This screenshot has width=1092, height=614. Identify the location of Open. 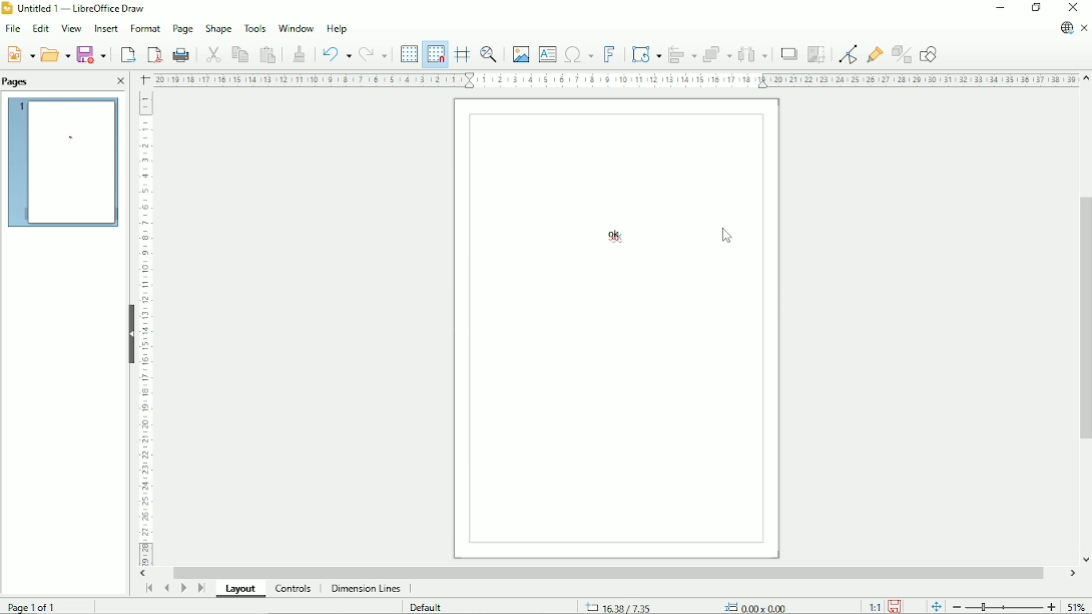
(56, 54).